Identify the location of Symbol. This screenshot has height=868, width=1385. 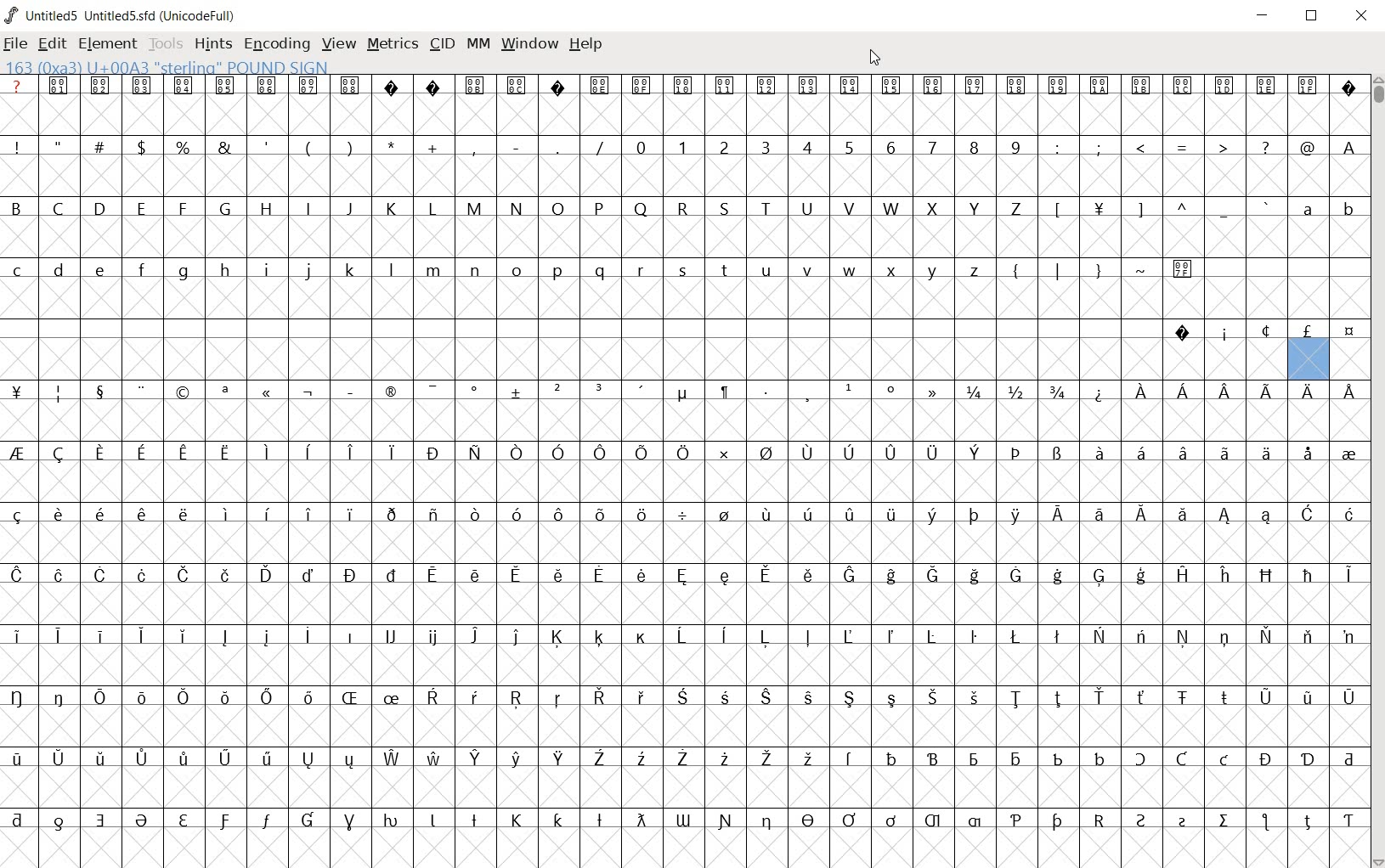
(1348, 453).